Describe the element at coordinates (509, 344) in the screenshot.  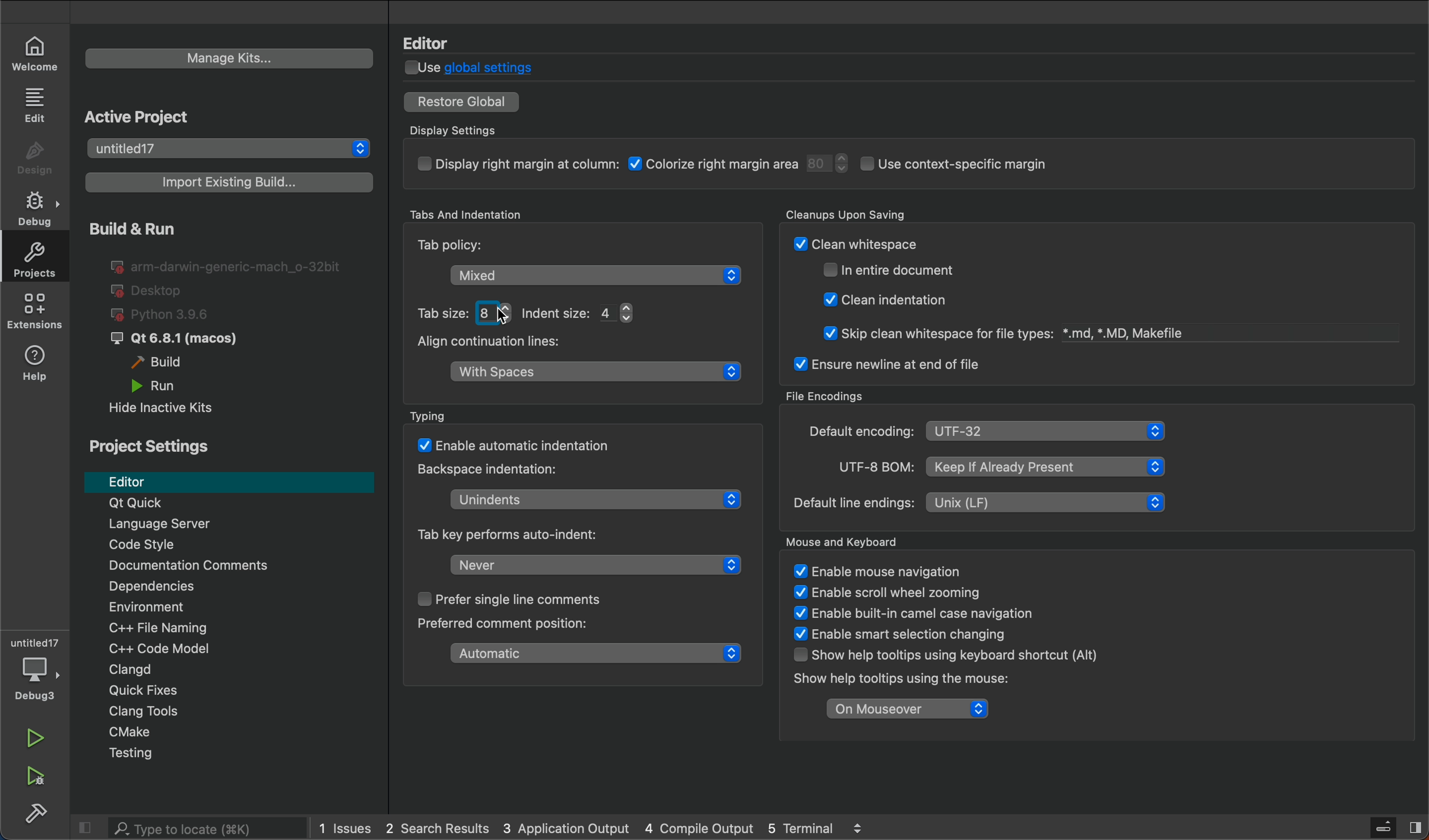
I see `Align continuation lines:` at that location.